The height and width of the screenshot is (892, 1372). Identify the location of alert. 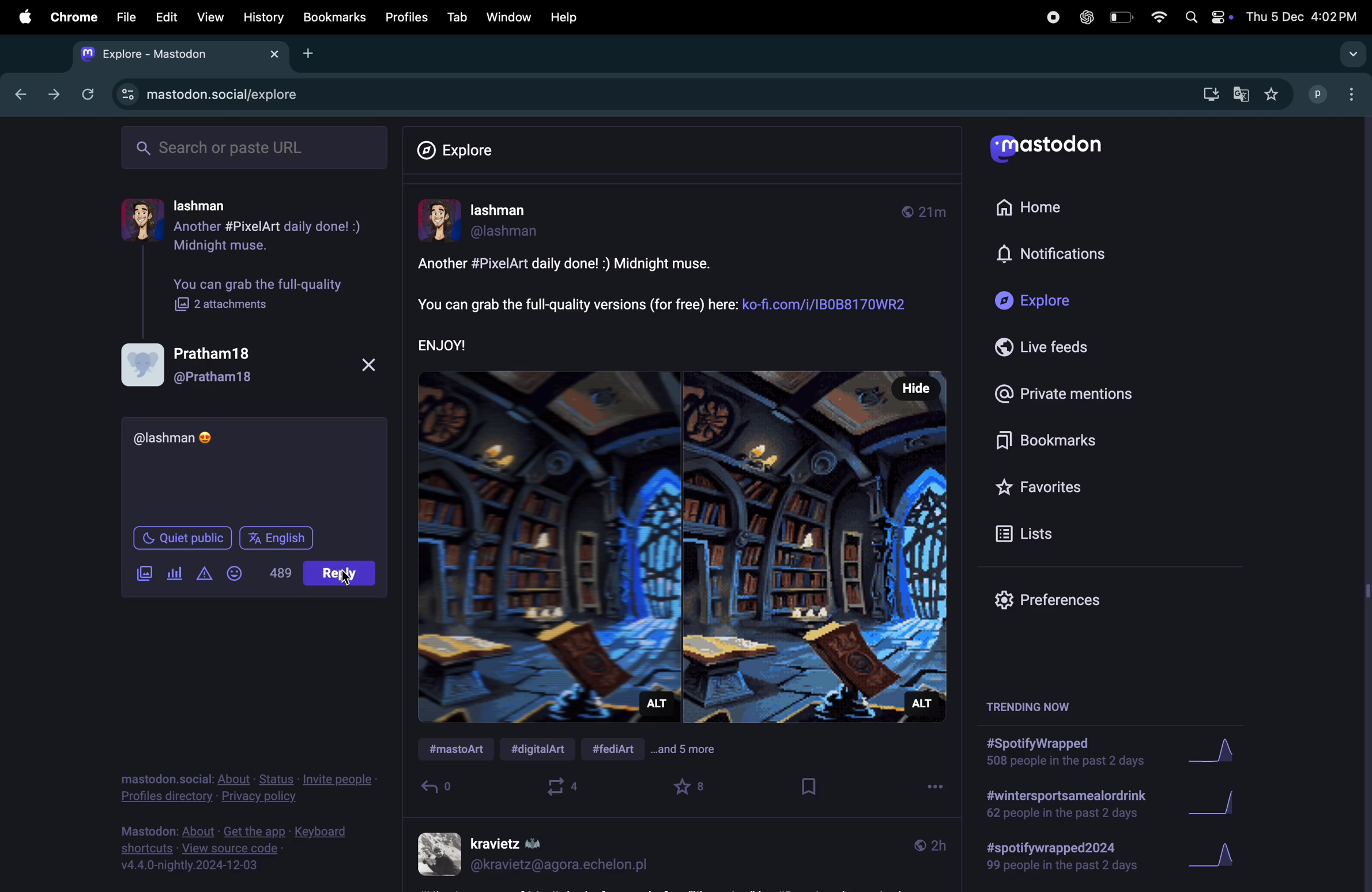
(203, 576).